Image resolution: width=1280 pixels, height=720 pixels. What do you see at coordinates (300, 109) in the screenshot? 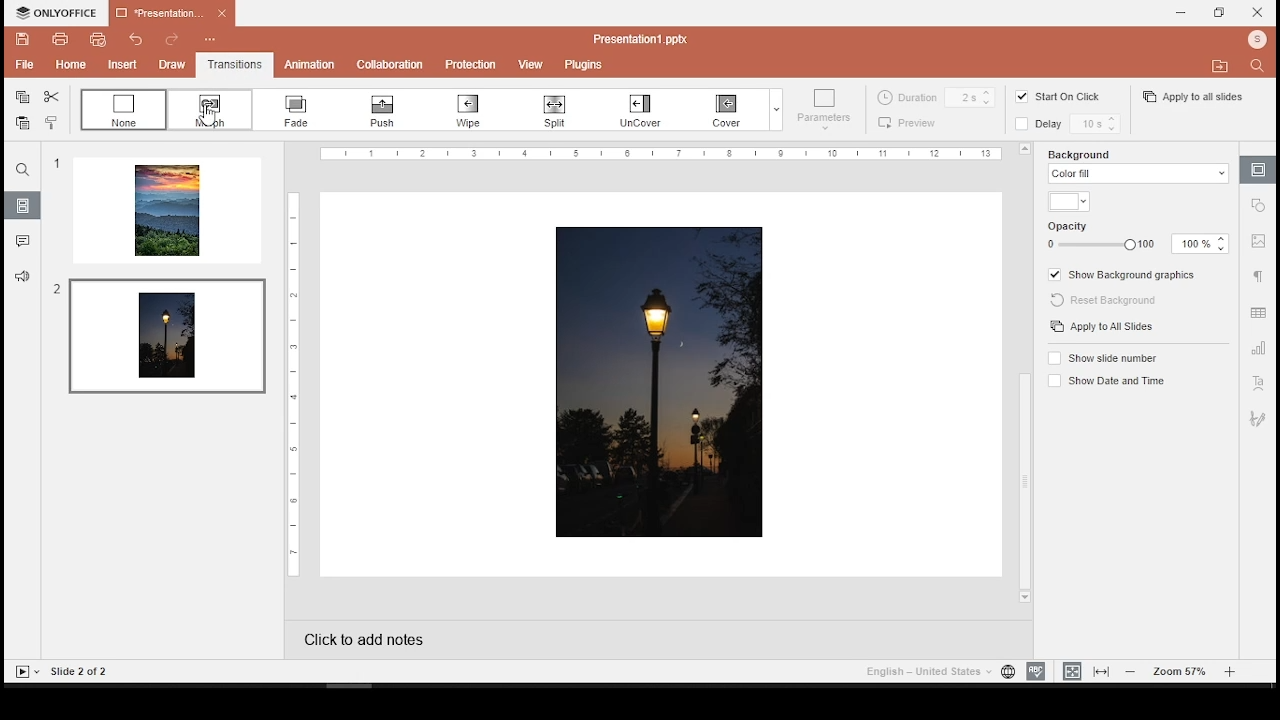
I see `font size` at bounding box center [300, 109].